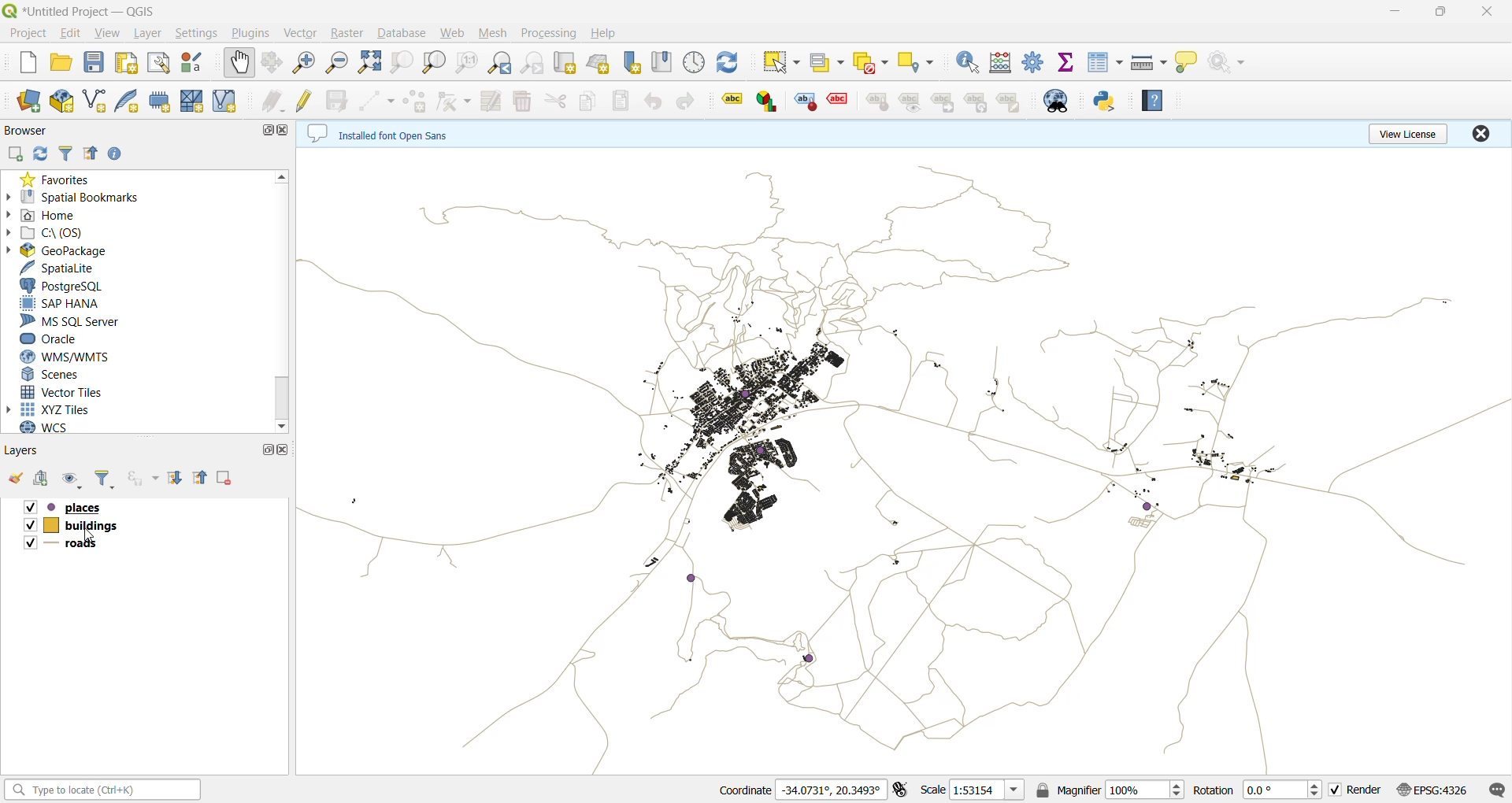 The height and width of the screenshot is (803, 1512). Describe the element at coordinates (653, 102) in the screenshot. I see `undo` at that location.